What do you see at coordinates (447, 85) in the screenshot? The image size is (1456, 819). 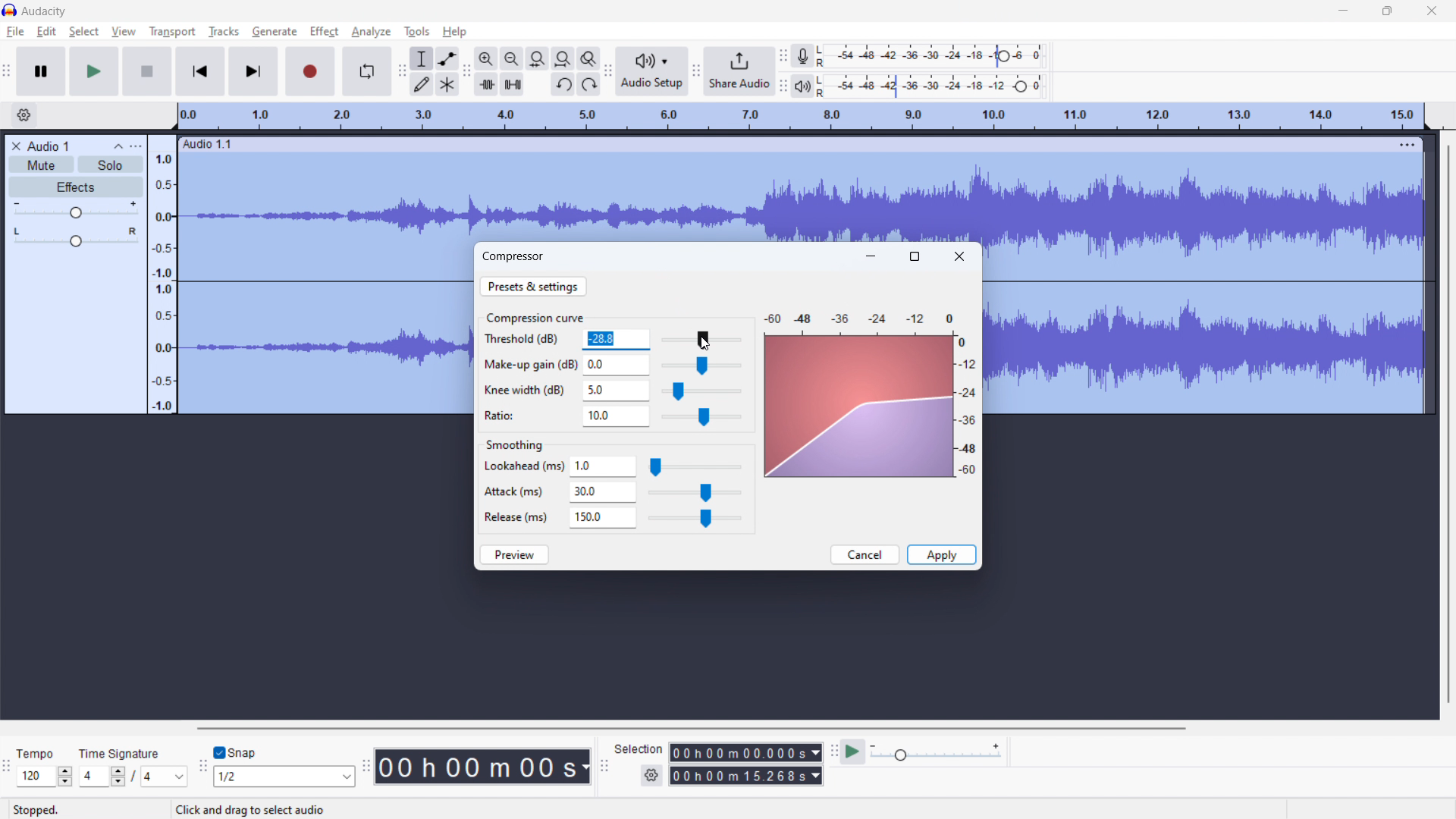 I see `multi tool` at bounding box center [447, 85].